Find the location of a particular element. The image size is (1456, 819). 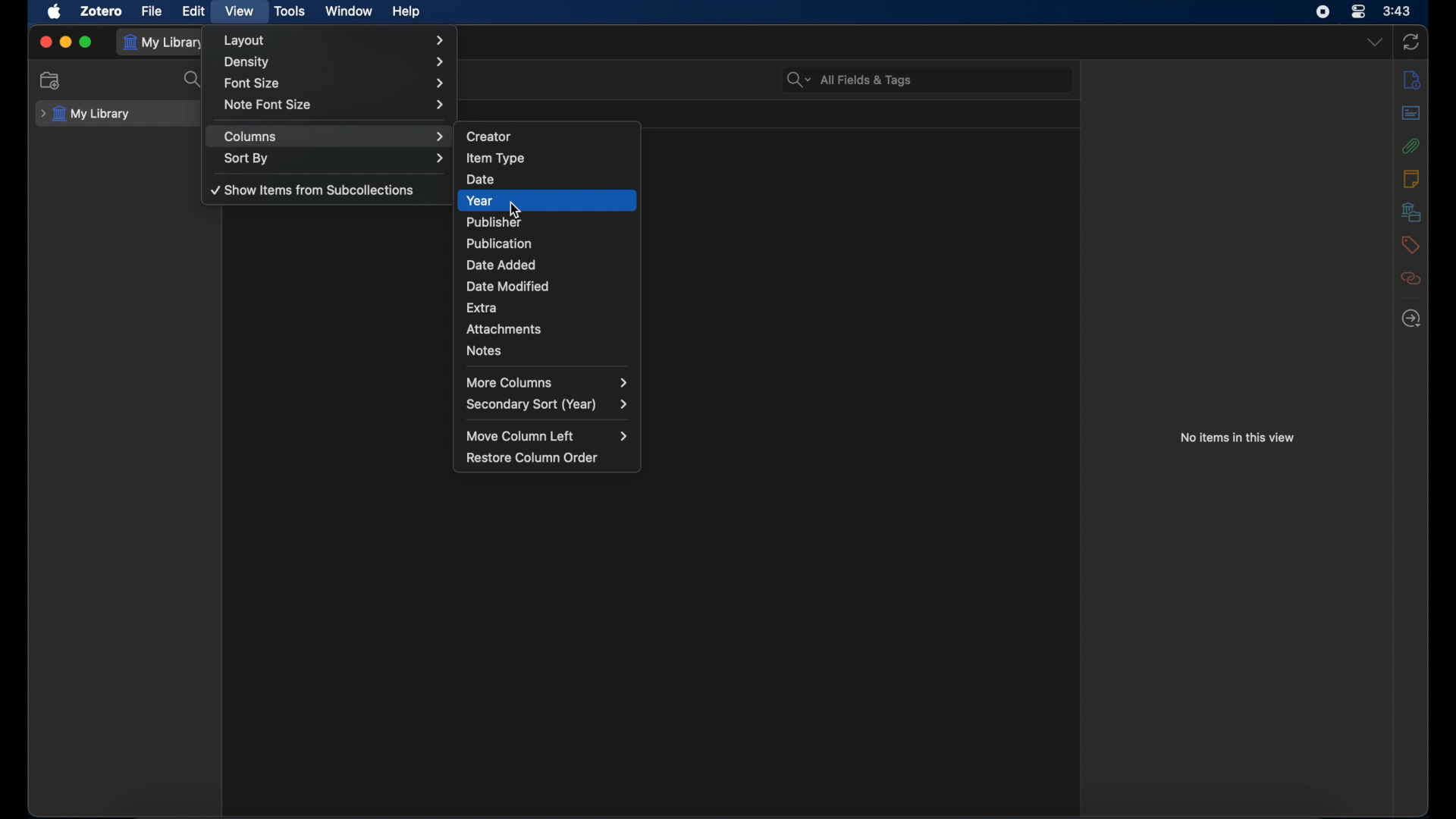

attachments is located at coordinates (1411, 146).